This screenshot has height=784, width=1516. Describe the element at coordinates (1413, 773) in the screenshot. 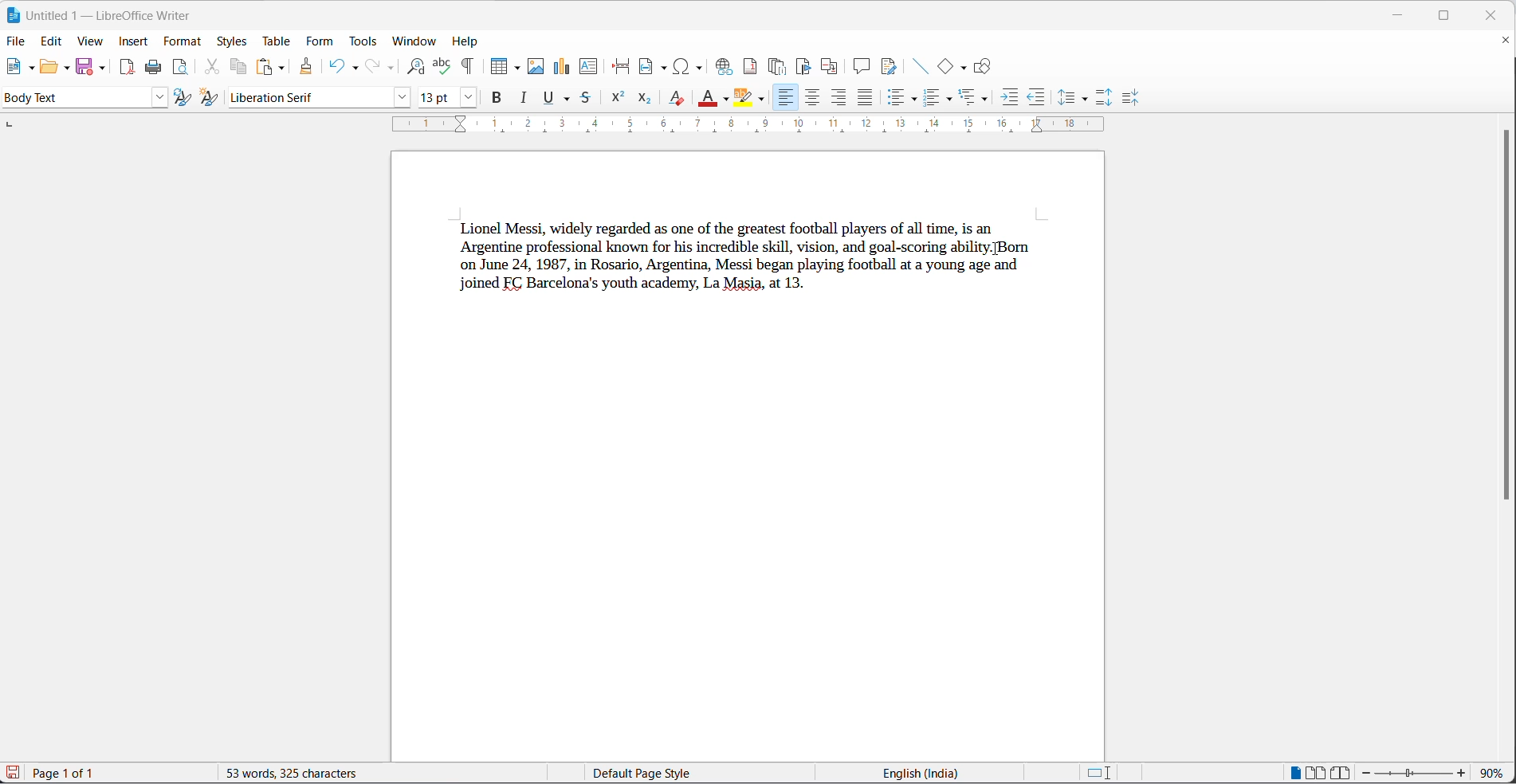

I see `zoom slider` at that location.